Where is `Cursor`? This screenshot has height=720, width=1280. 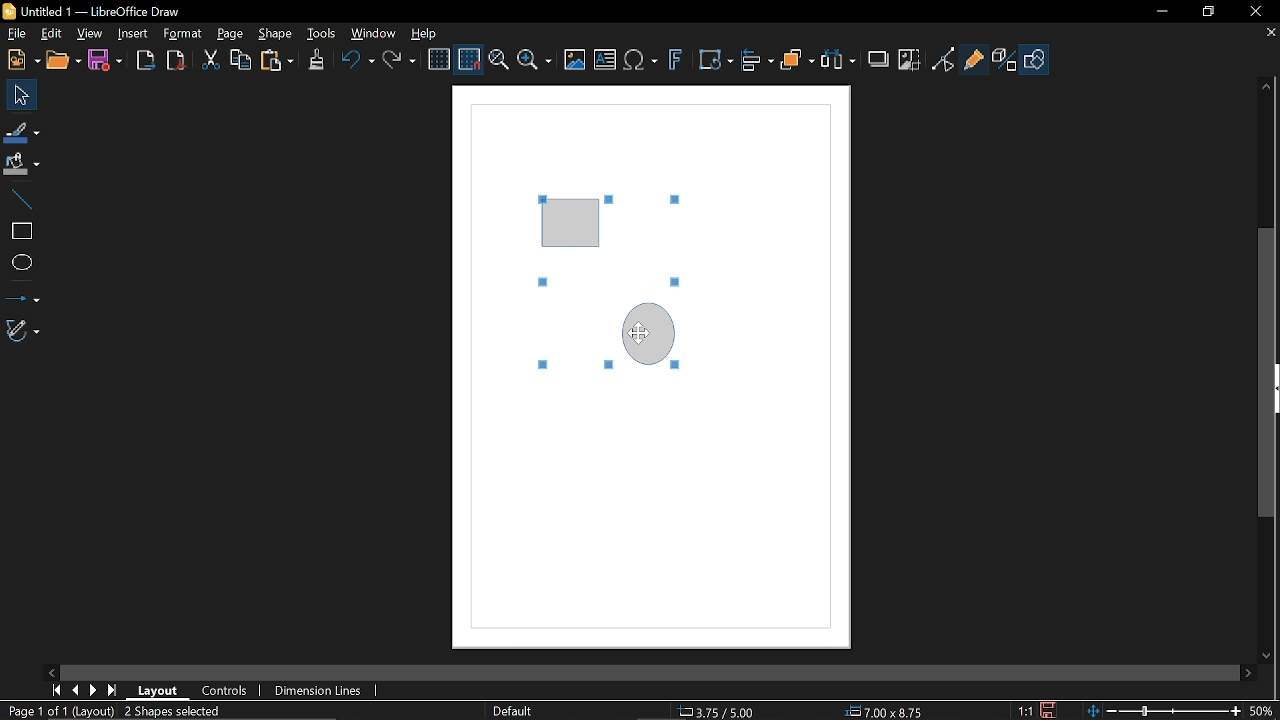
Cursor is located at coordinates (639, 335).